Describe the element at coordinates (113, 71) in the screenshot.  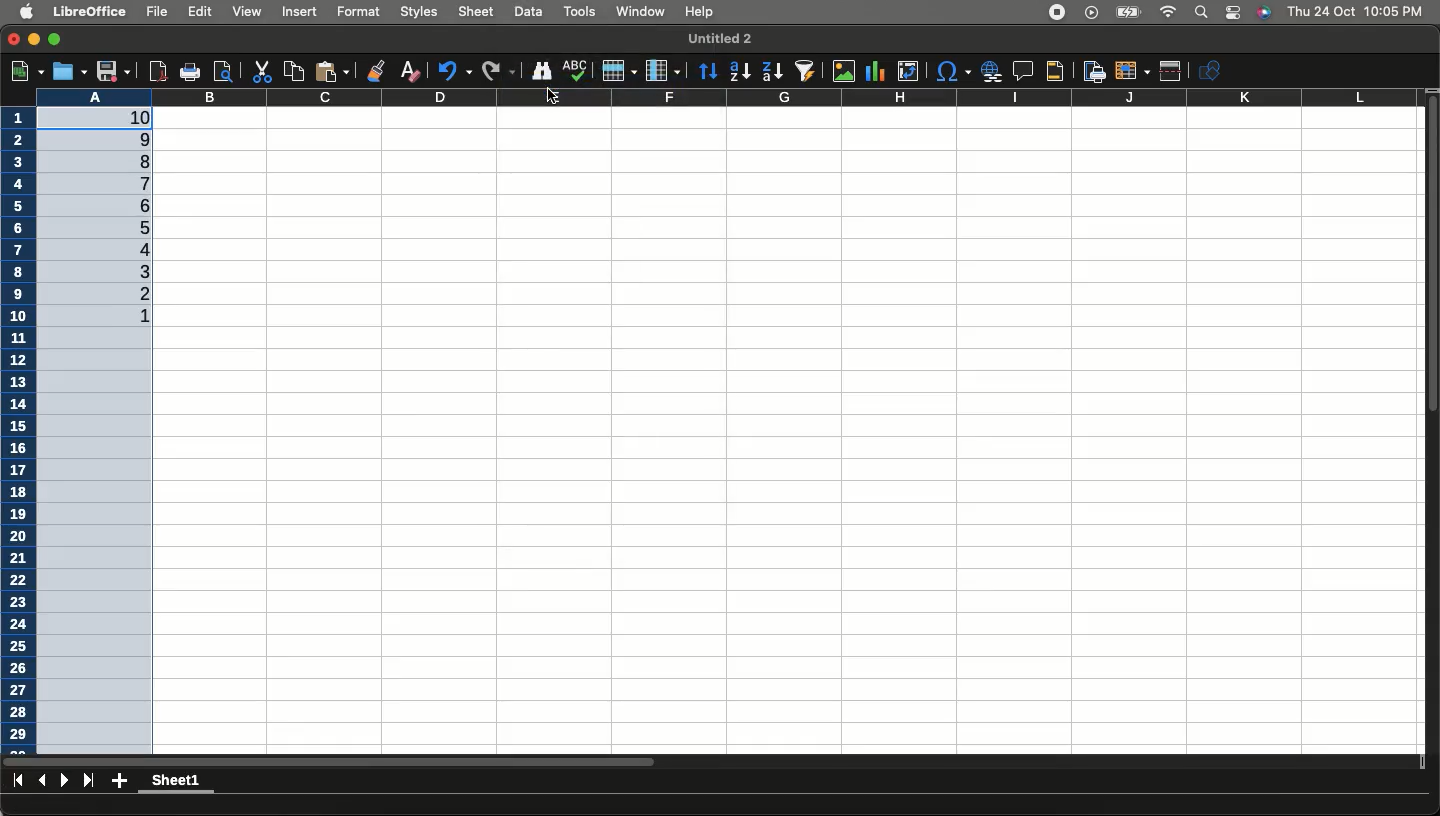
I see `Save` at that location.